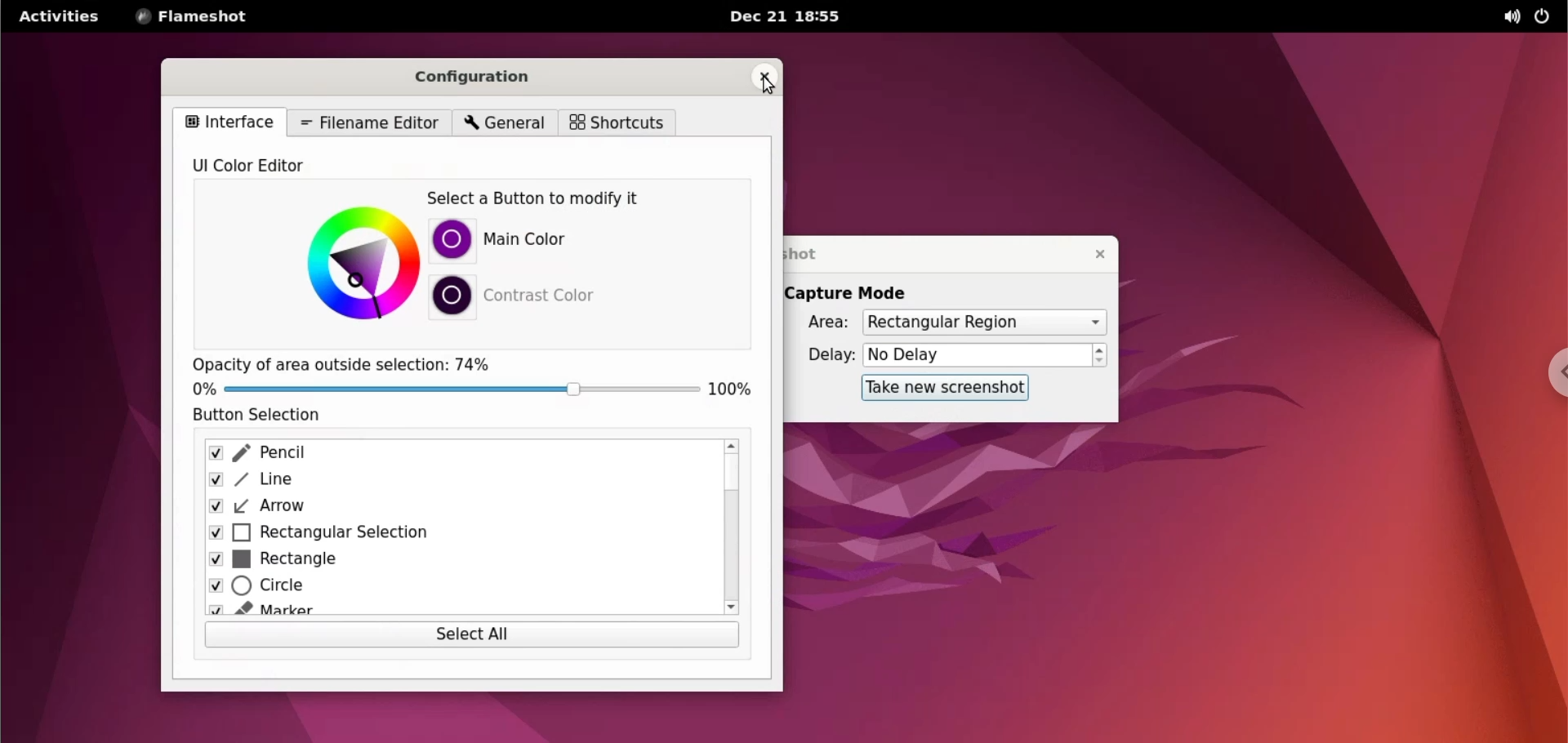 Image resolution: width=1568 pixels, height=743 pixels. What do you see at coordinates (547, 199) in the screenshot?
I see `select a button to modify it` at bounding box center [547, 199].